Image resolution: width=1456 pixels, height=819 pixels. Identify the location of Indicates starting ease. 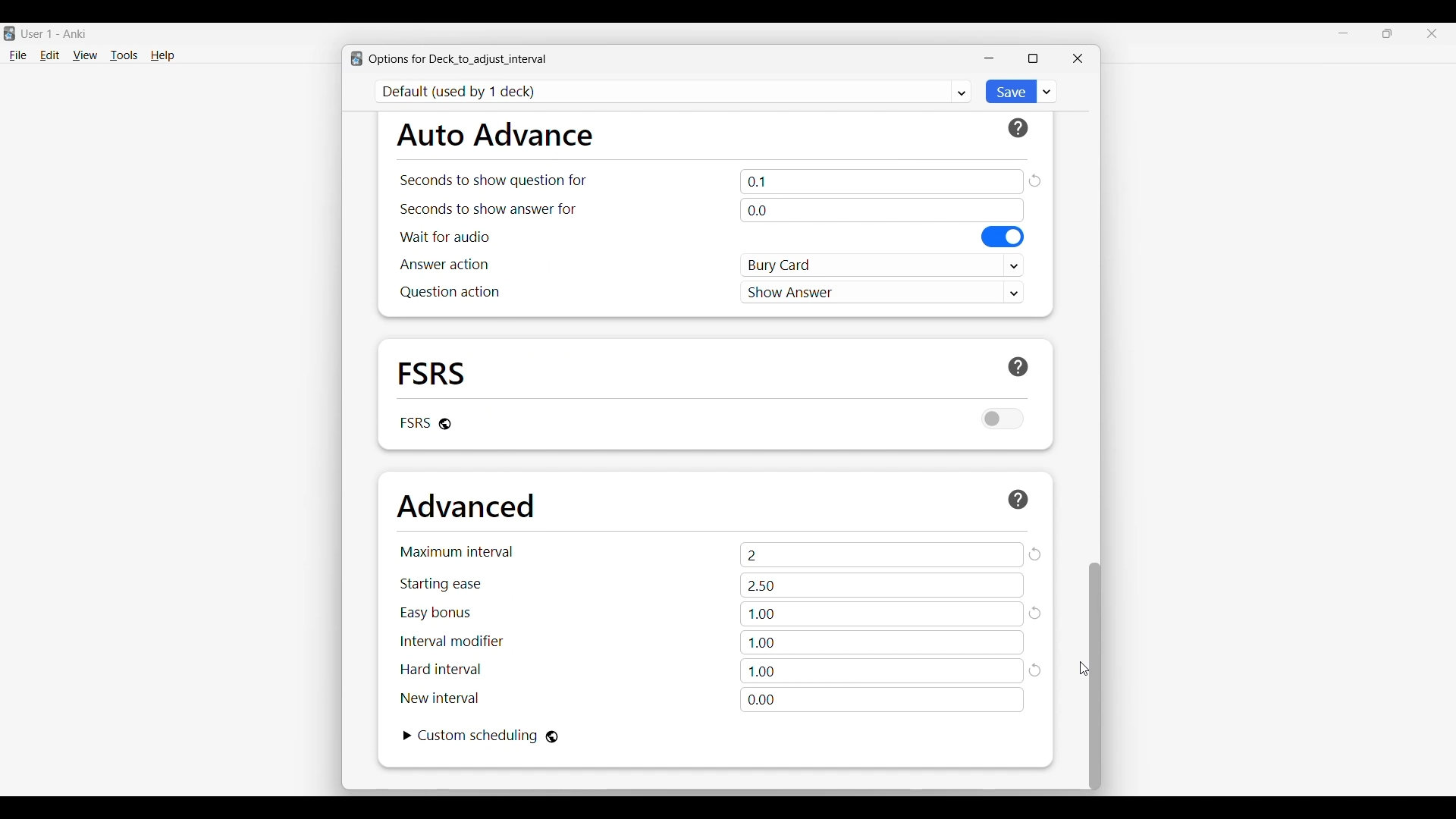
(442, 584).